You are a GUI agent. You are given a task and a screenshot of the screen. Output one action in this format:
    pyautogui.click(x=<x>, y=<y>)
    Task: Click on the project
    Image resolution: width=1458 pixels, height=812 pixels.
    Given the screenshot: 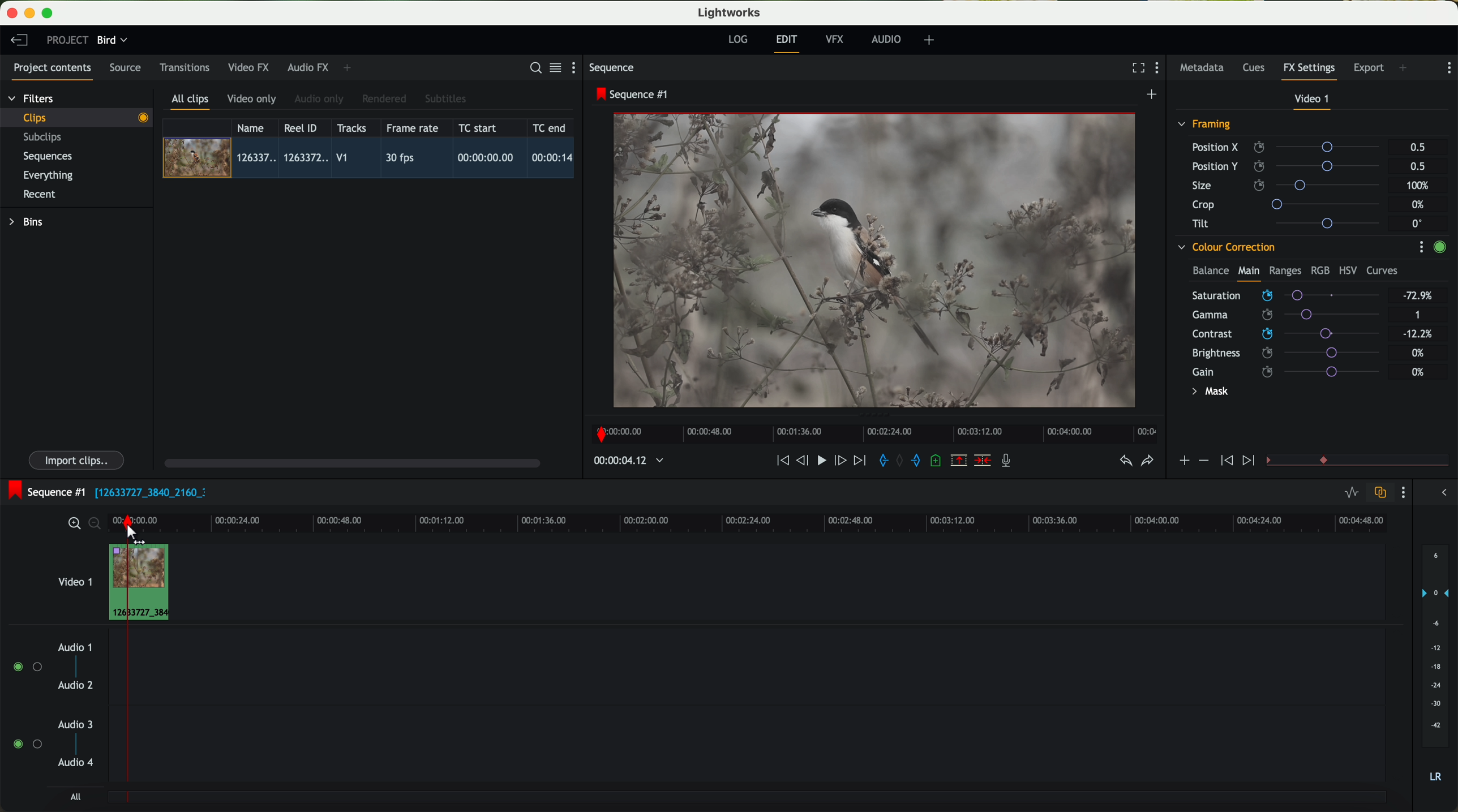 What is the action you would take?
    pyautogui.click(x=67, y=40)
    